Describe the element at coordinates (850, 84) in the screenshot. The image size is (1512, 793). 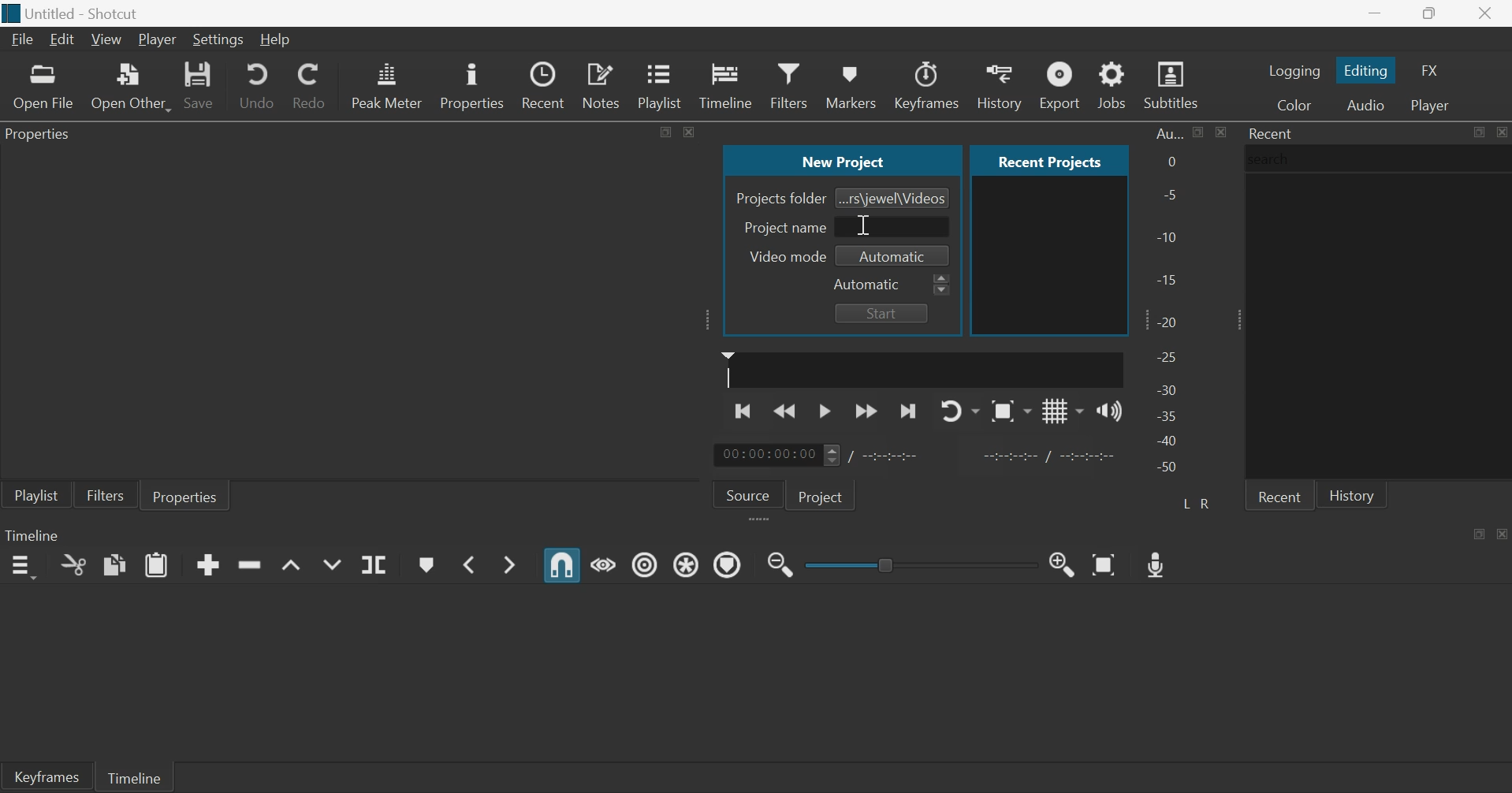
I see `Markers` at that location.